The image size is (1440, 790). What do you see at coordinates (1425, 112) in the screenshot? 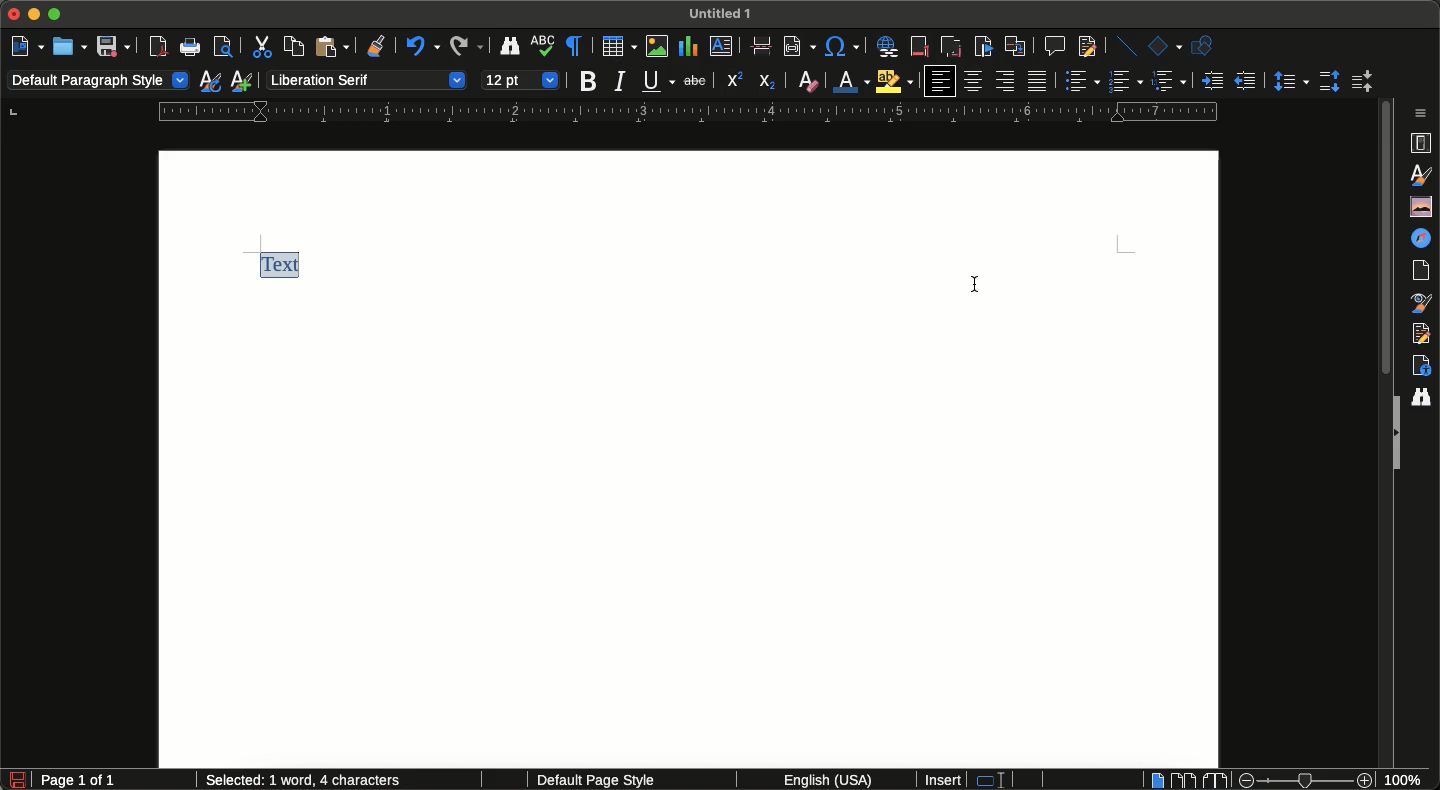
I see `Sidebar settings` at bounding box center [1425, 112].